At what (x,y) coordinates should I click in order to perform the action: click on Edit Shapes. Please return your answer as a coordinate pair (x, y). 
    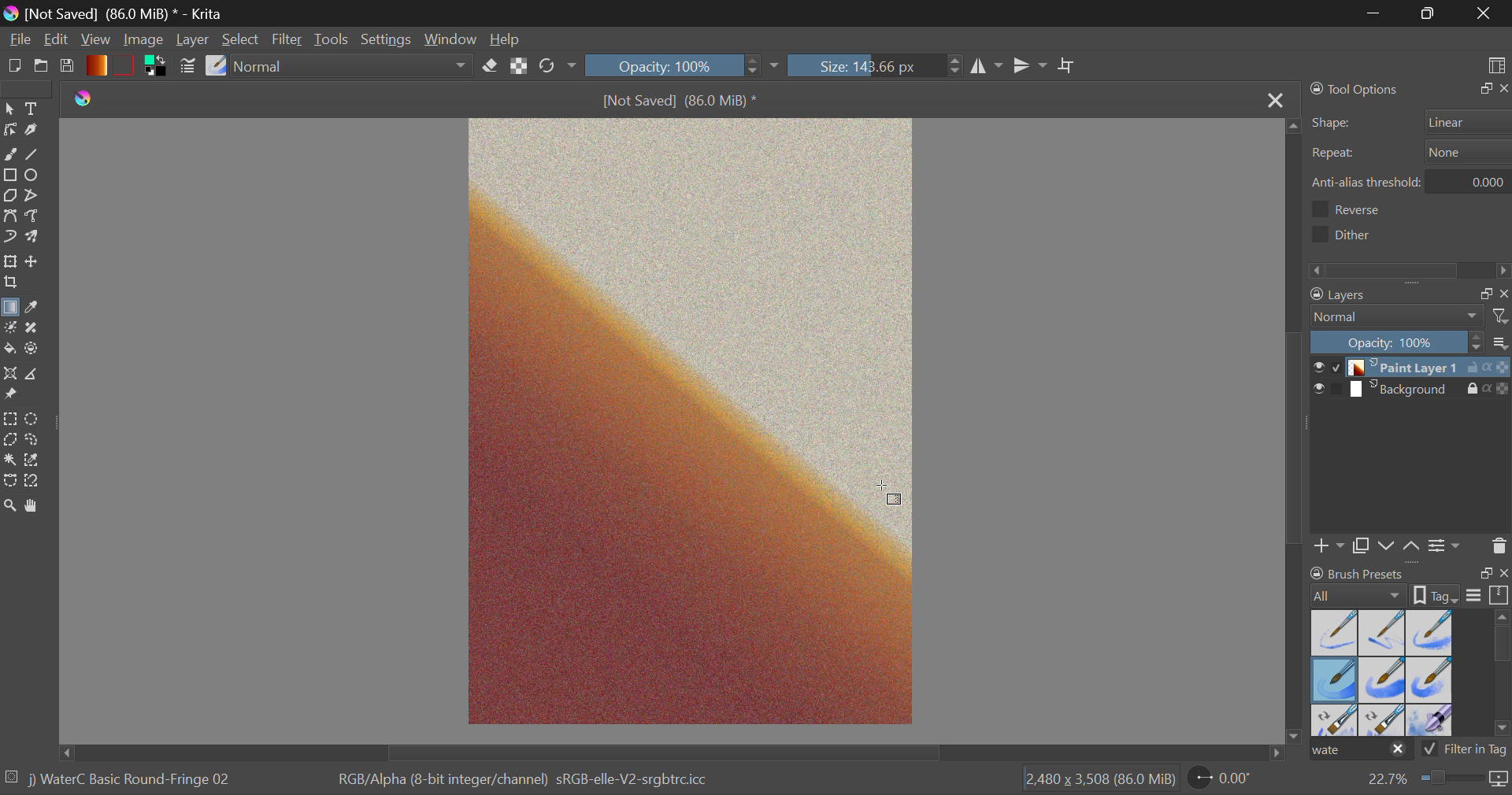
    Looking at the image, I should click on (10, 131).